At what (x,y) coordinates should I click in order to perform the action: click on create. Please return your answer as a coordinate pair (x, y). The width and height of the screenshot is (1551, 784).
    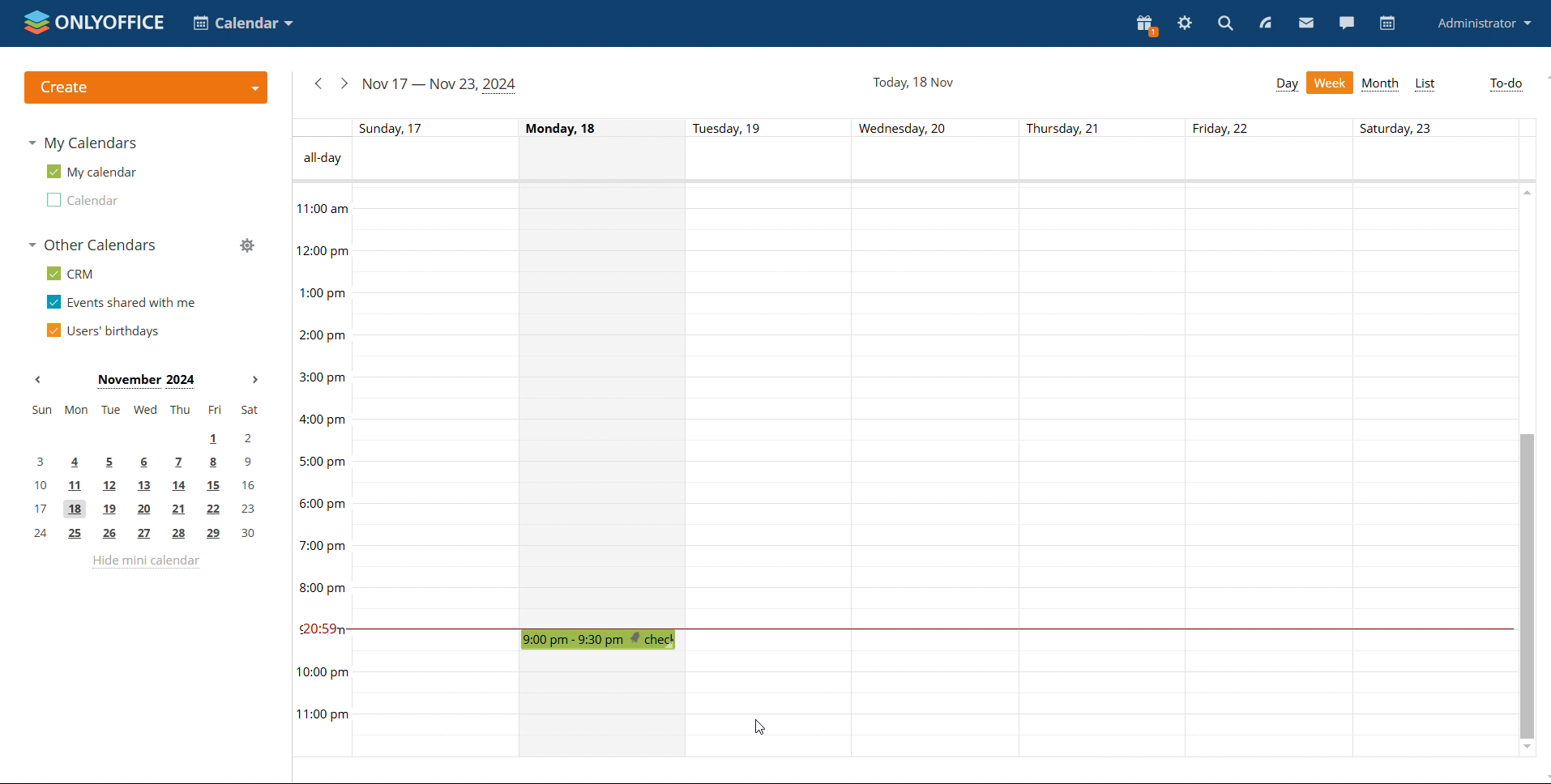
    Looking at the image, I should click on (147, 88).